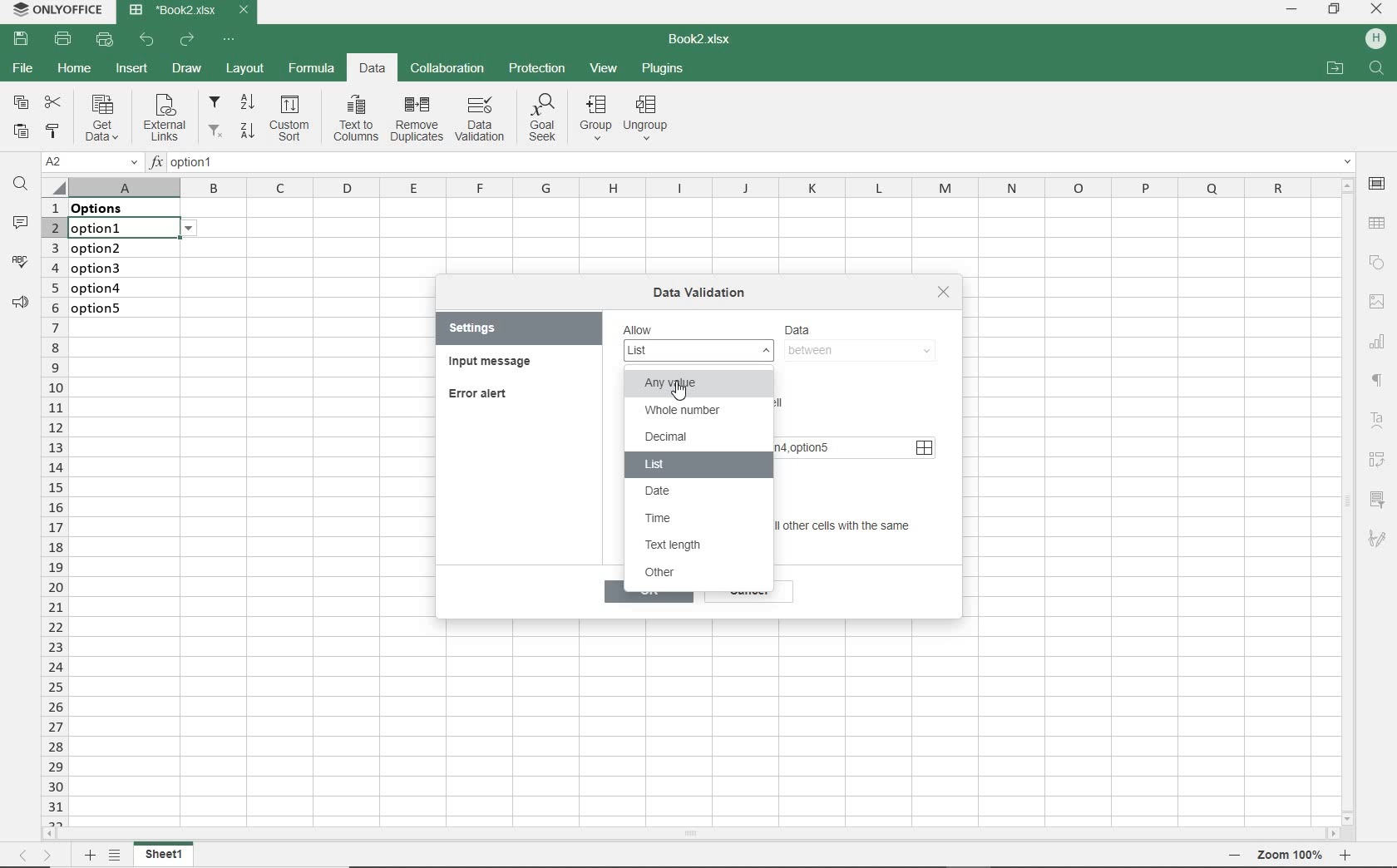 The width and height of the screenshot is (1397, 868). I want to click on sheet1, so click(165, 855).